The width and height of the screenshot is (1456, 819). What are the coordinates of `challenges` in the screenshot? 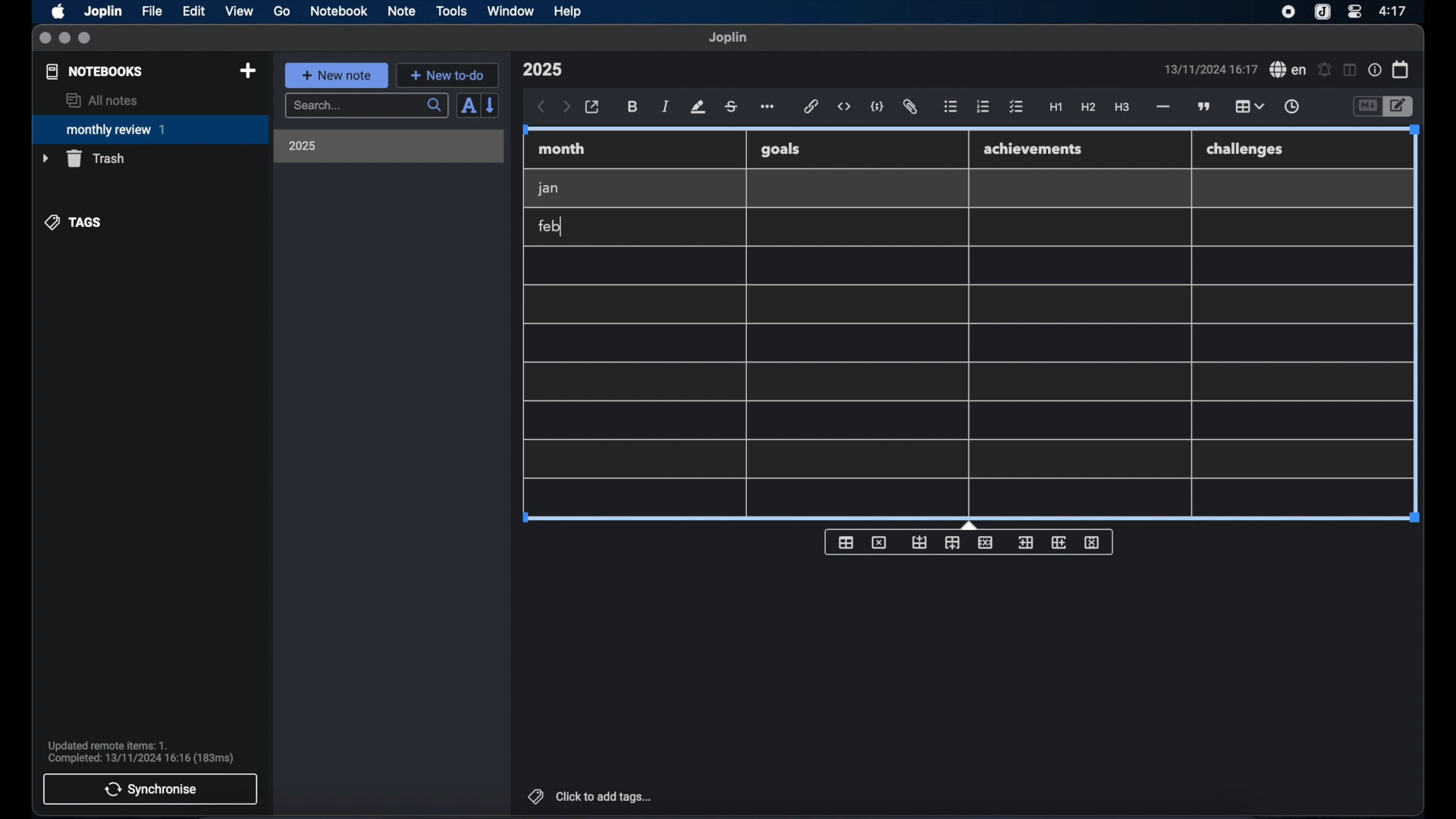 It's located at (1246, 150).